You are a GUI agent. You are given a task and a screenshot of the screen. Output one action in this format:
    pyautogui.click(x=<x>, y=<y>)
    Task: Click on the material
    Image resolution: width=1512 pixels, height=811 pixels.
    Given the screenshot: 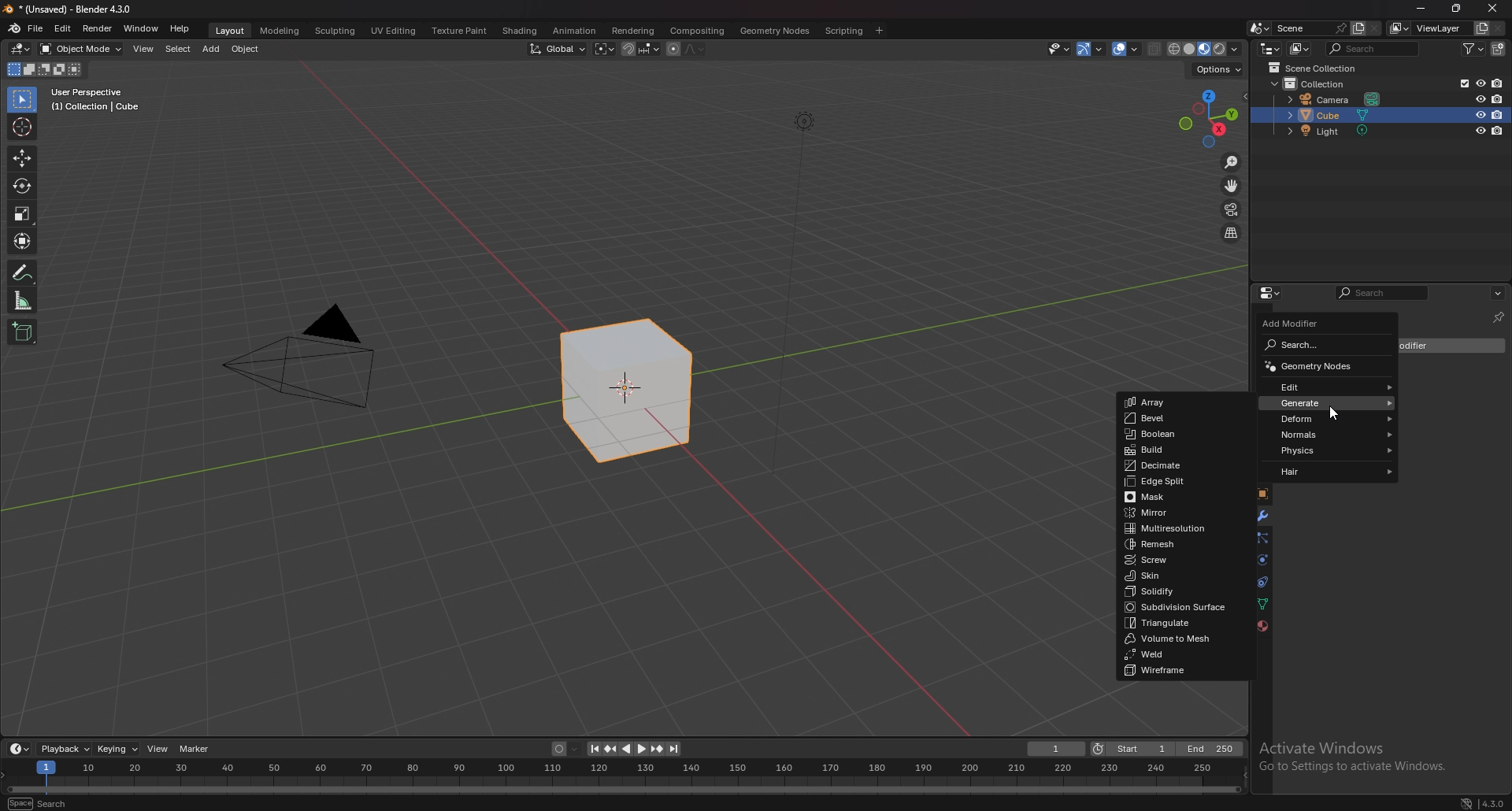 What is the action you would take?
    pyautogui.click(x=1262, y=624)
    